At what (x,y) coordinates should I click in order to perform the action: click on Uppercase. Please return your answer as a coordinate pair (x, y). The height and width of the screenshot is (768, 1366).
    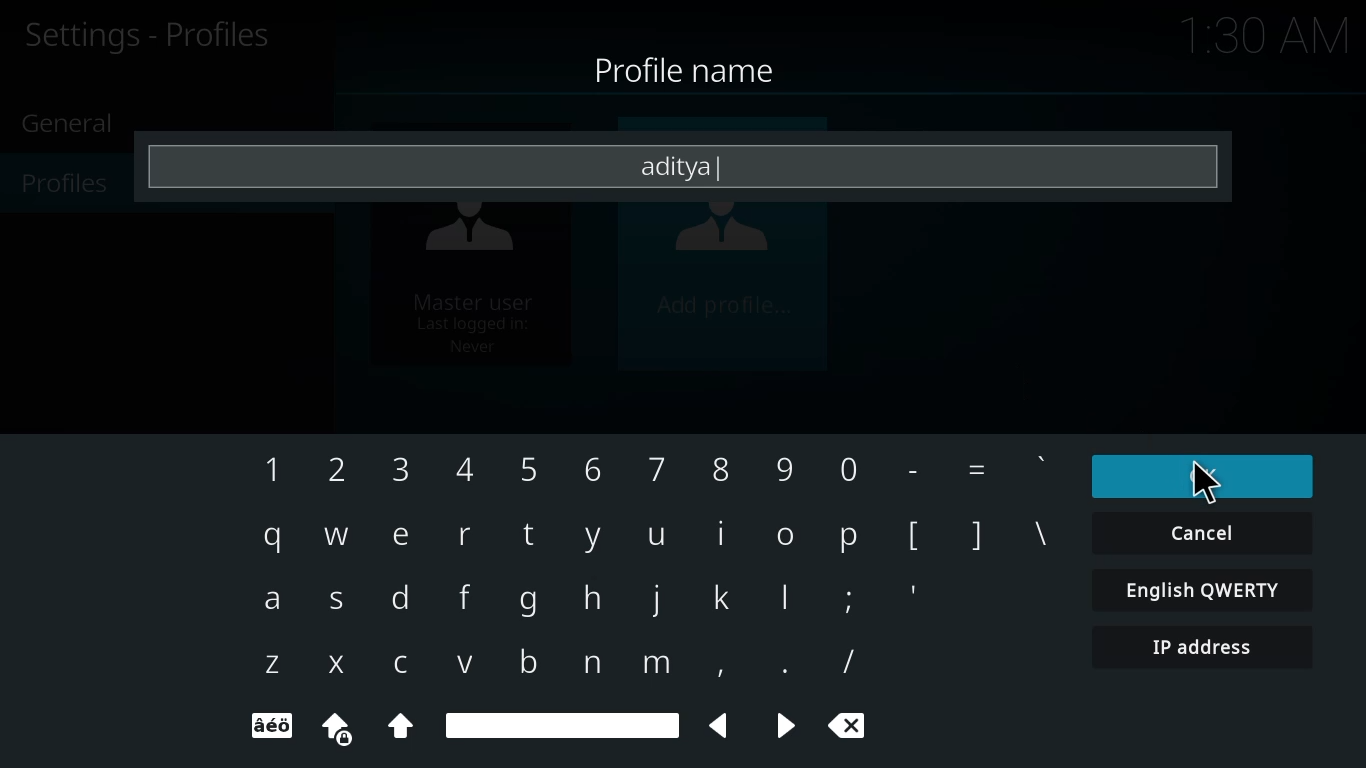
    Looking at the image, I should click on (402, 733).